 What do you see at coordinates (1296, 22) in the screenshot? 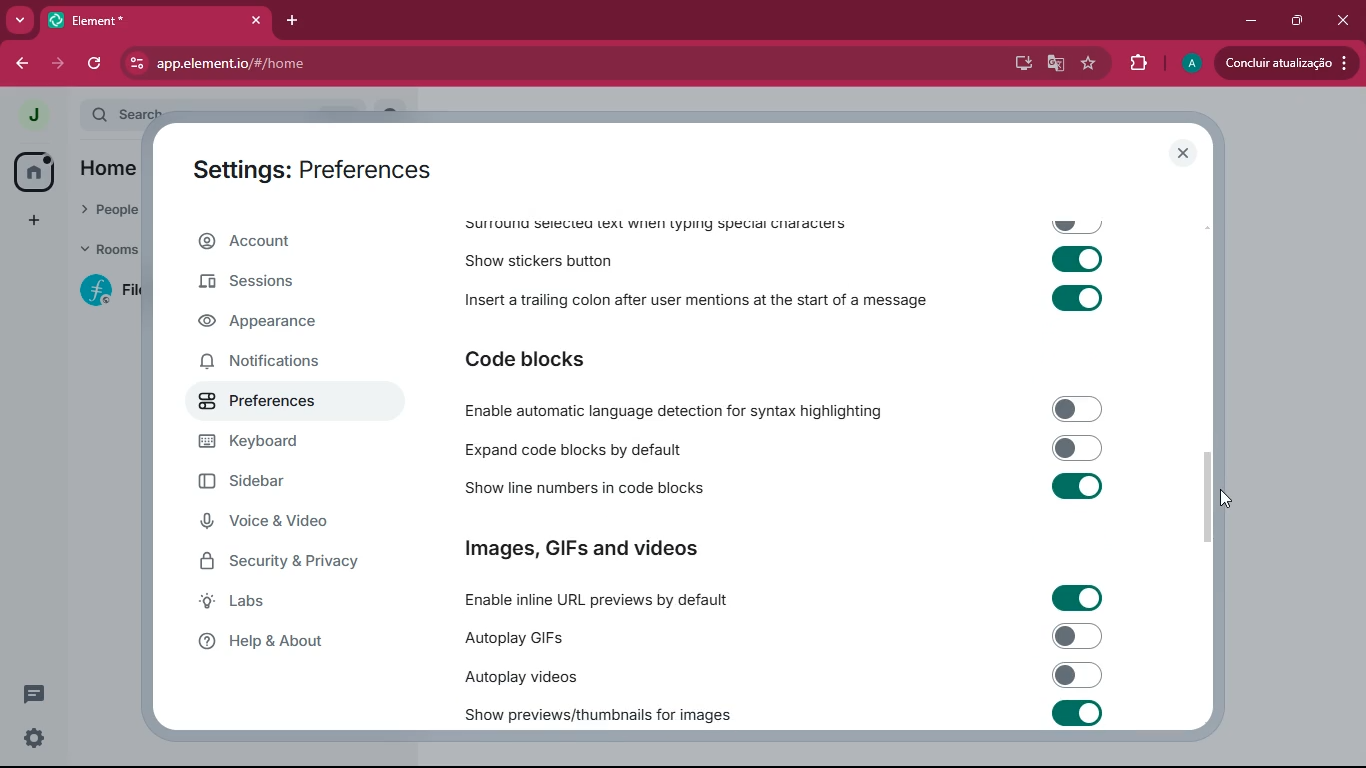
I see `maximize` at bounding box center [1296, 22].